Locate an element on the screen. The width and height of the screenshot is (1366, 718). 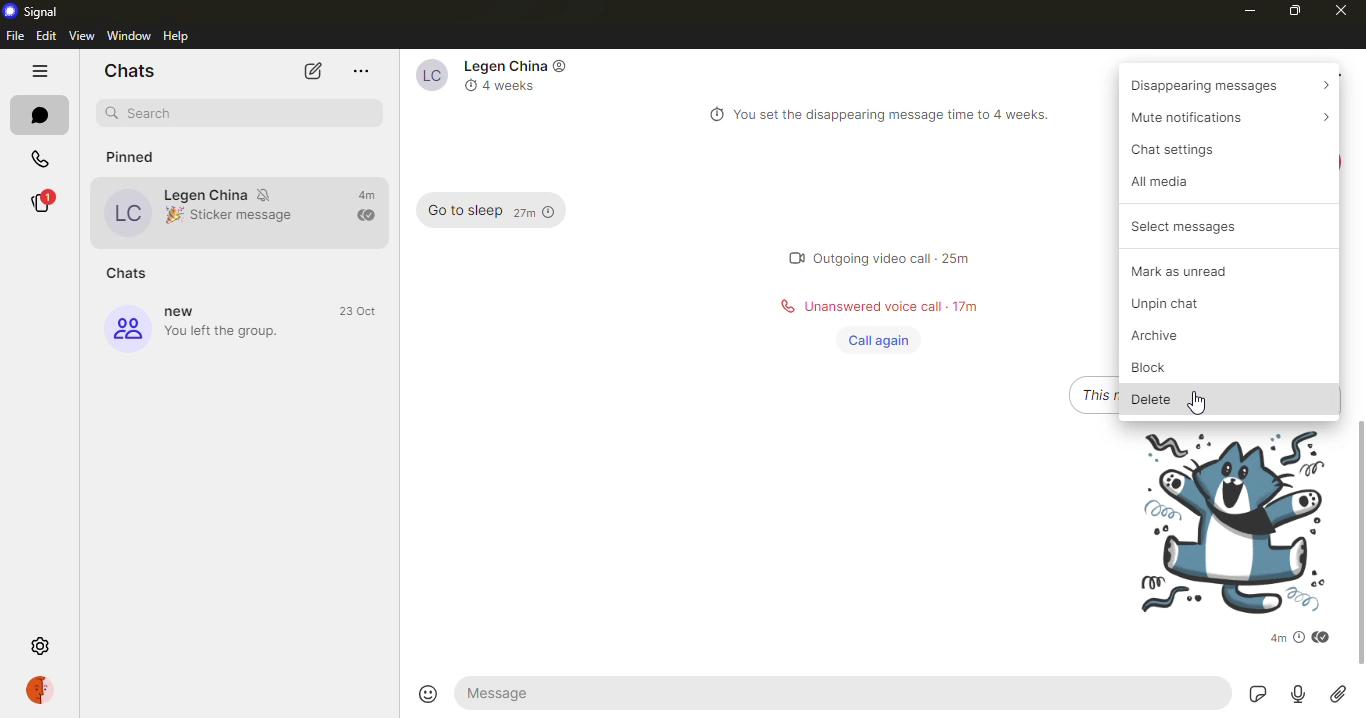
New is located at coordinates (186, 312).